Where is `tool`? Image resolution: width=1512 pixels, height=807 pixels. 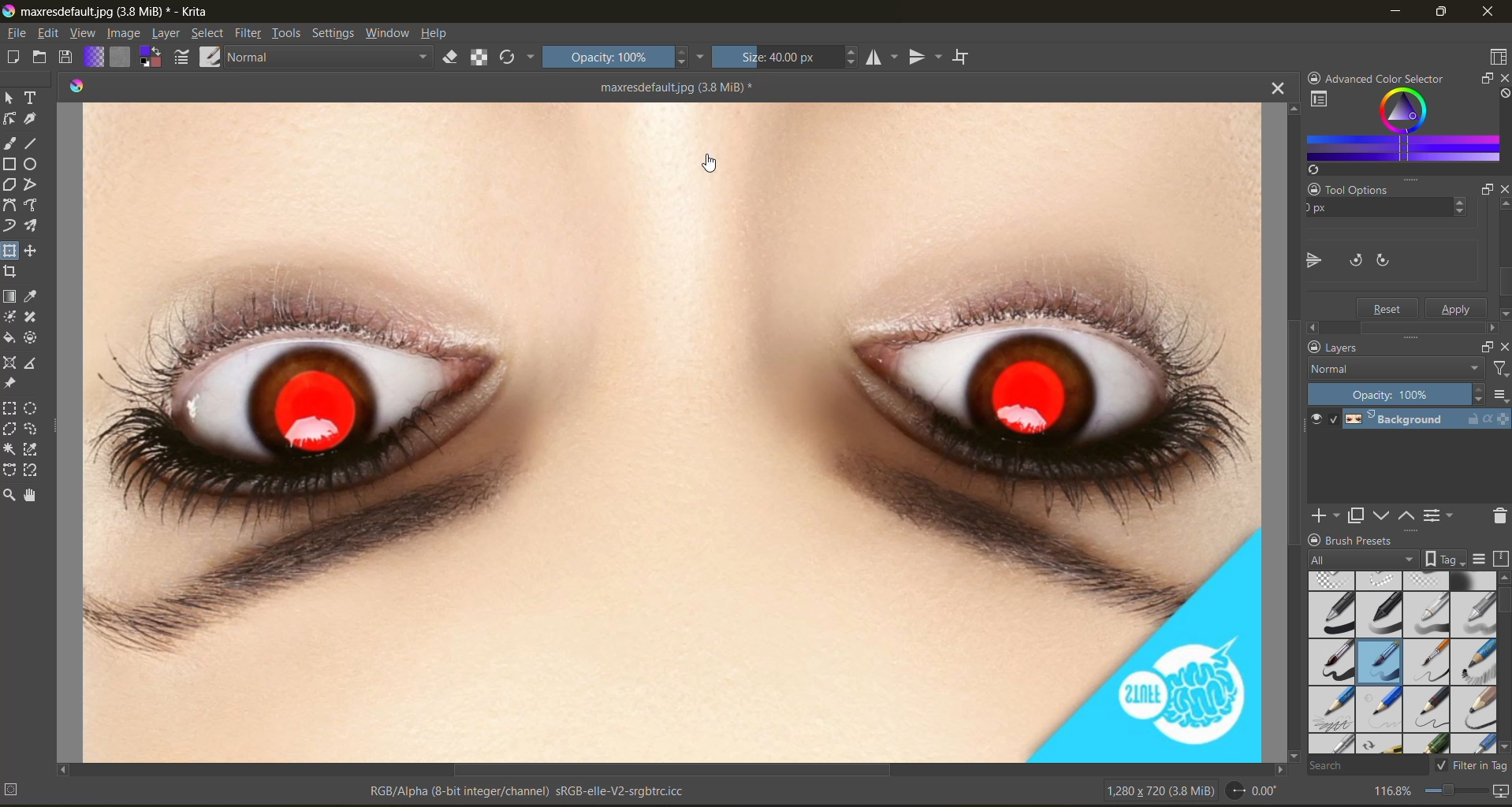
tool is located at coordinates (12, 364).